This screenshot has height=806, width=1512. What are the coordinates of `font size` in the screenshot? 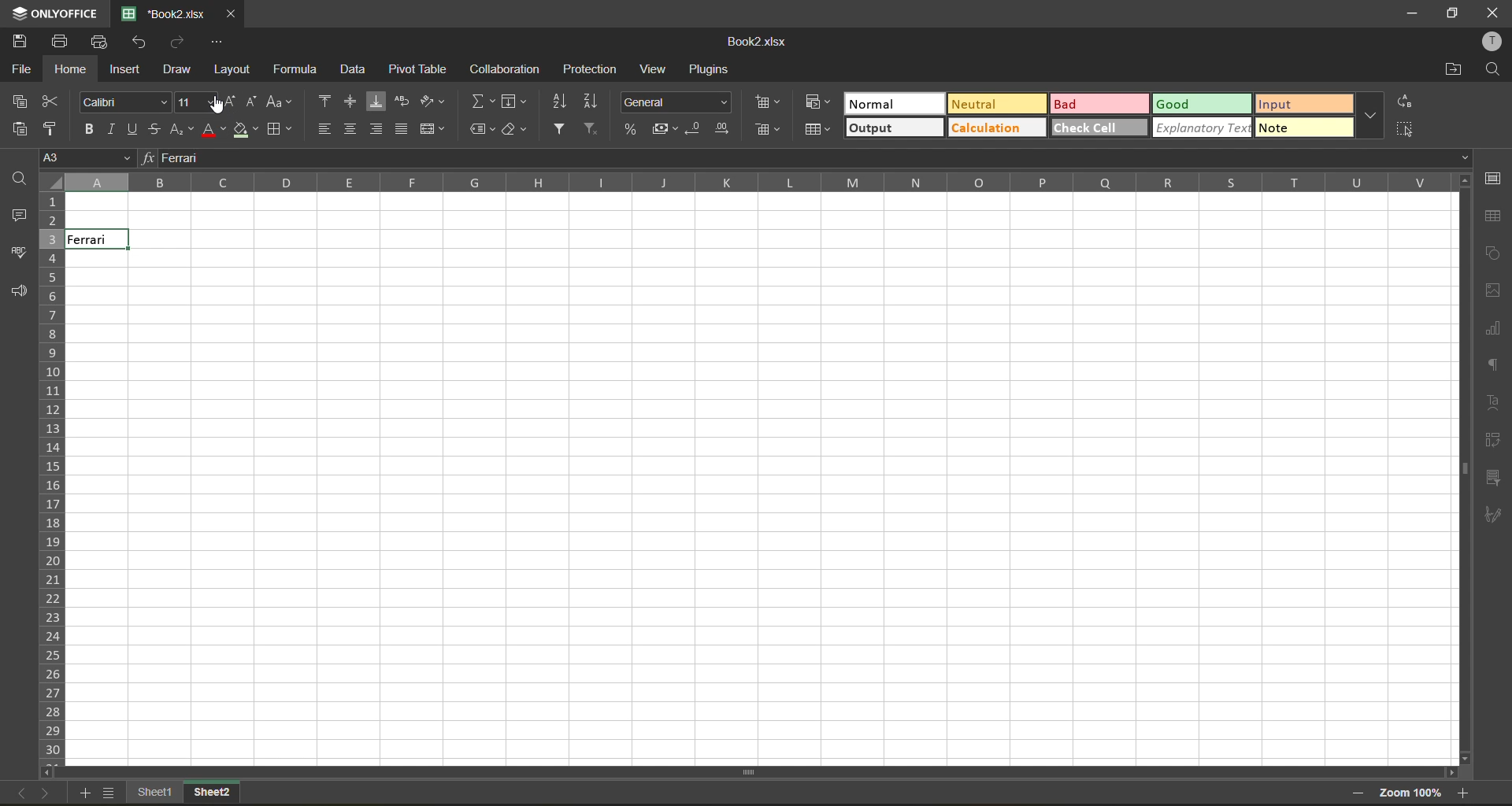 It's located at (190, 102).